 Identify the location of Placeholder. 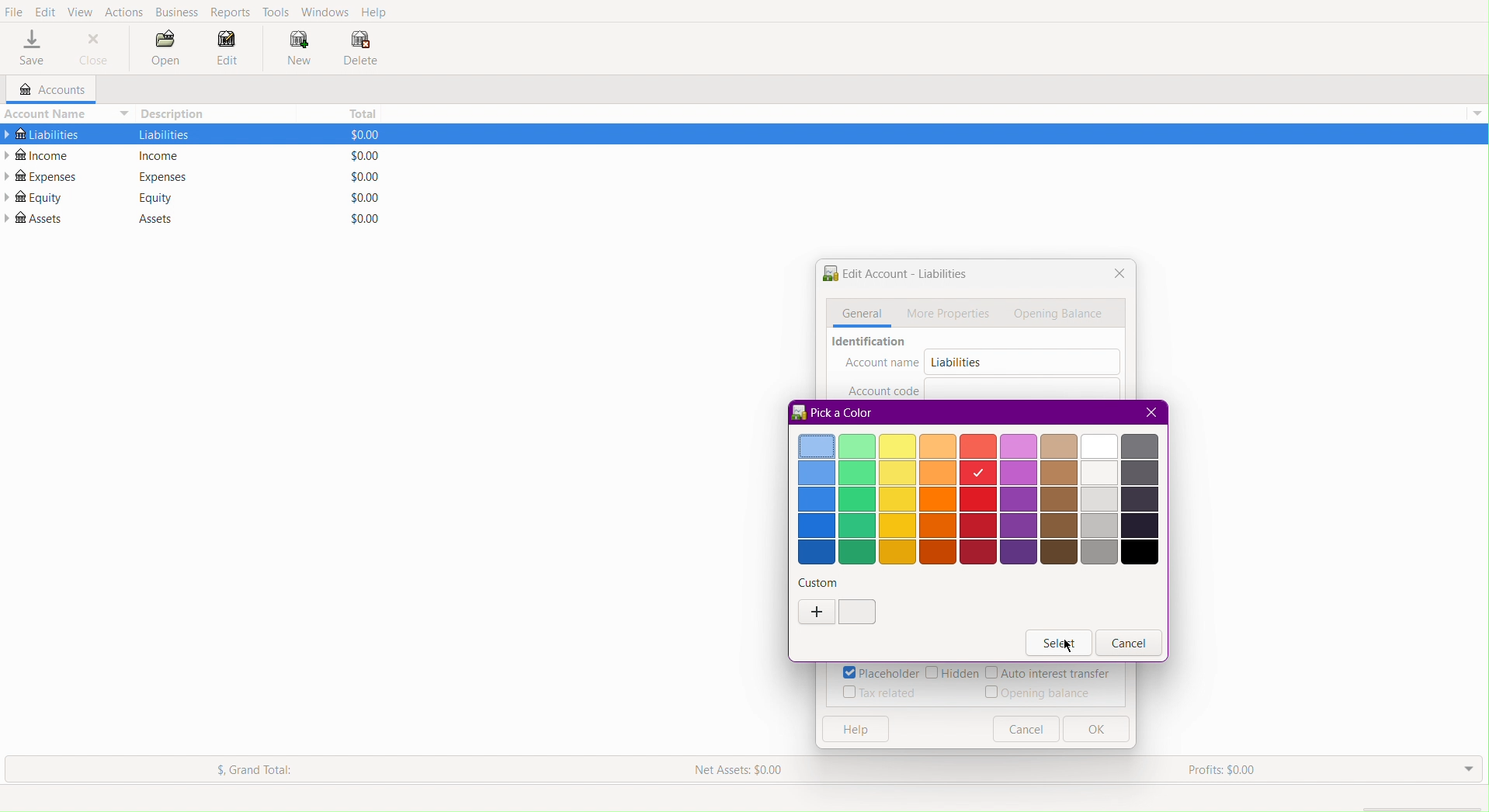
(880, 673).